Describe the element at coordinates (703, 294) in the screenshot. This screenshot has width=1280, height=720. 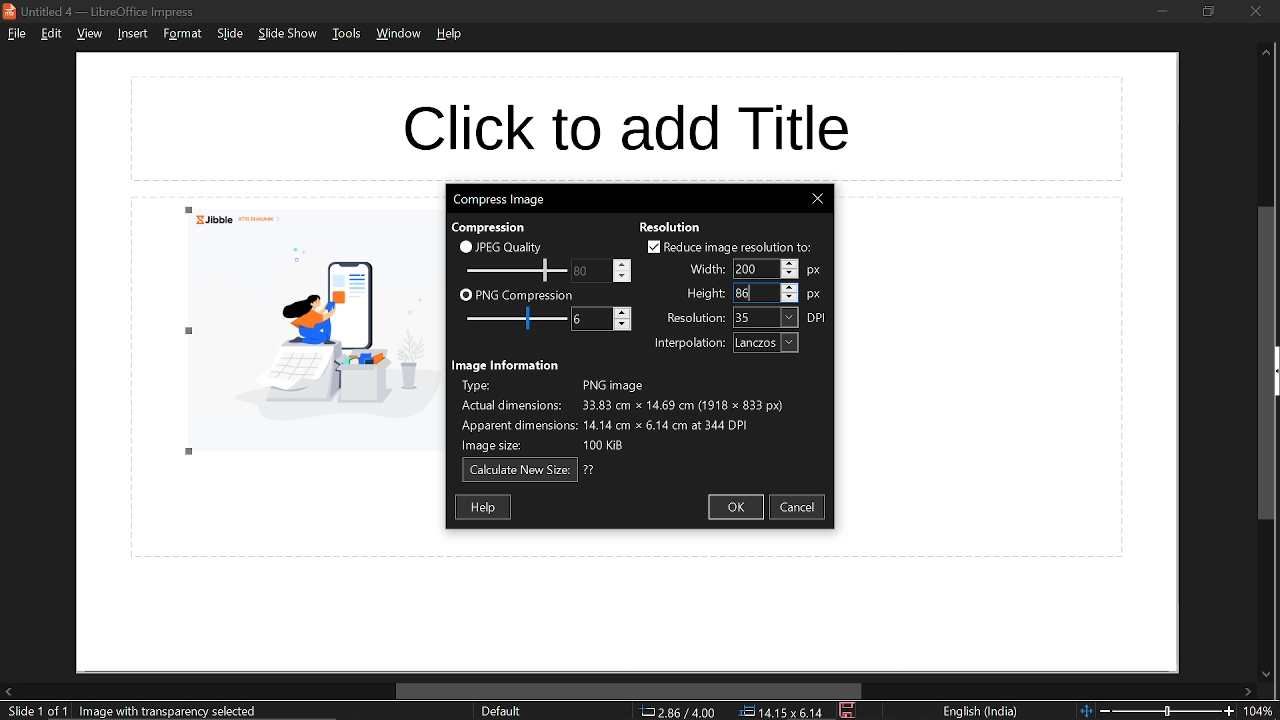
I see `height` at that location.